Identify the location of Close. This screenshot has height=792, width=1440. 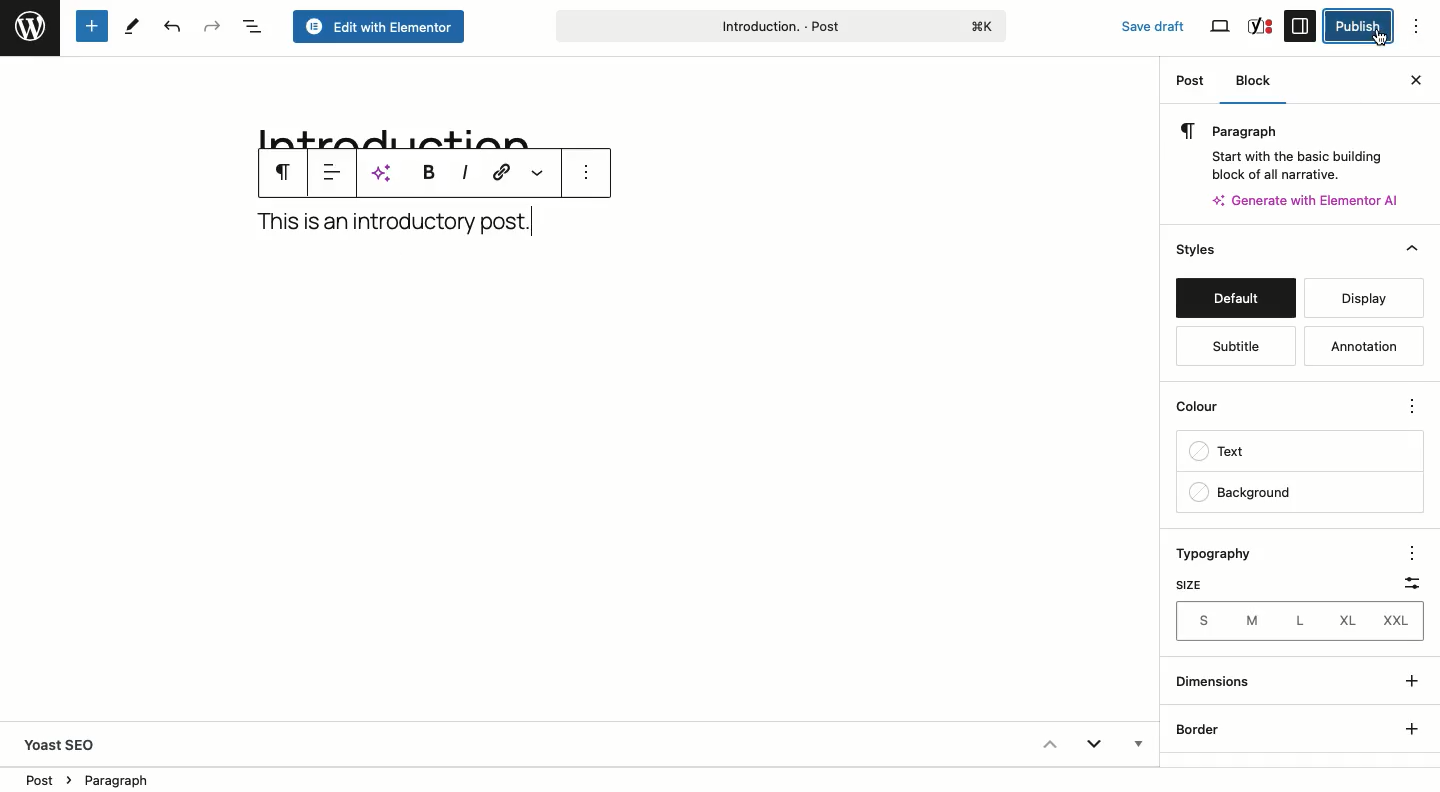
(1415, 78).